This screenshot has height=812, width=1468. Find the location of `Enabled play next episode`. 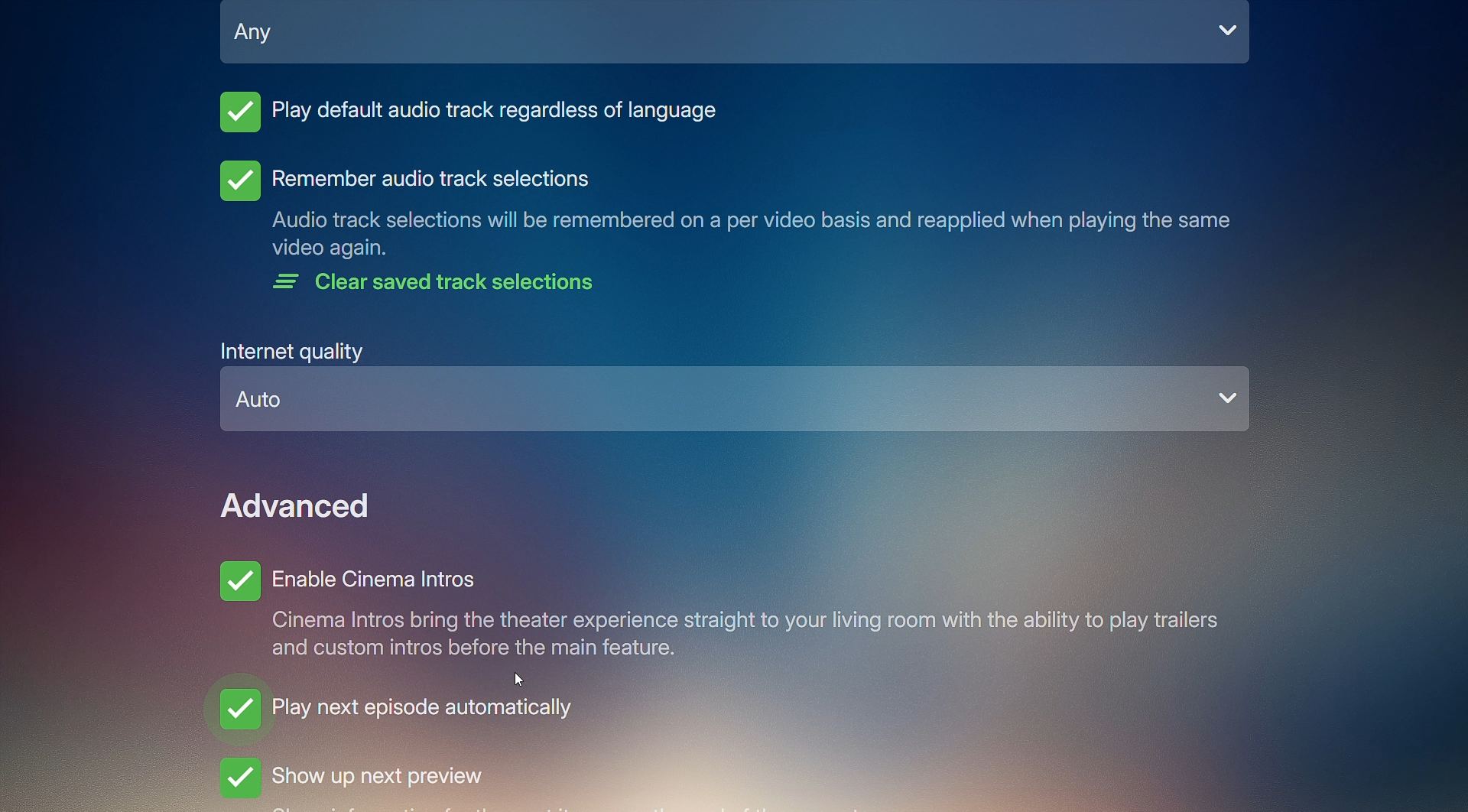

Enabled play next episode is located at coordinates (397, 716).